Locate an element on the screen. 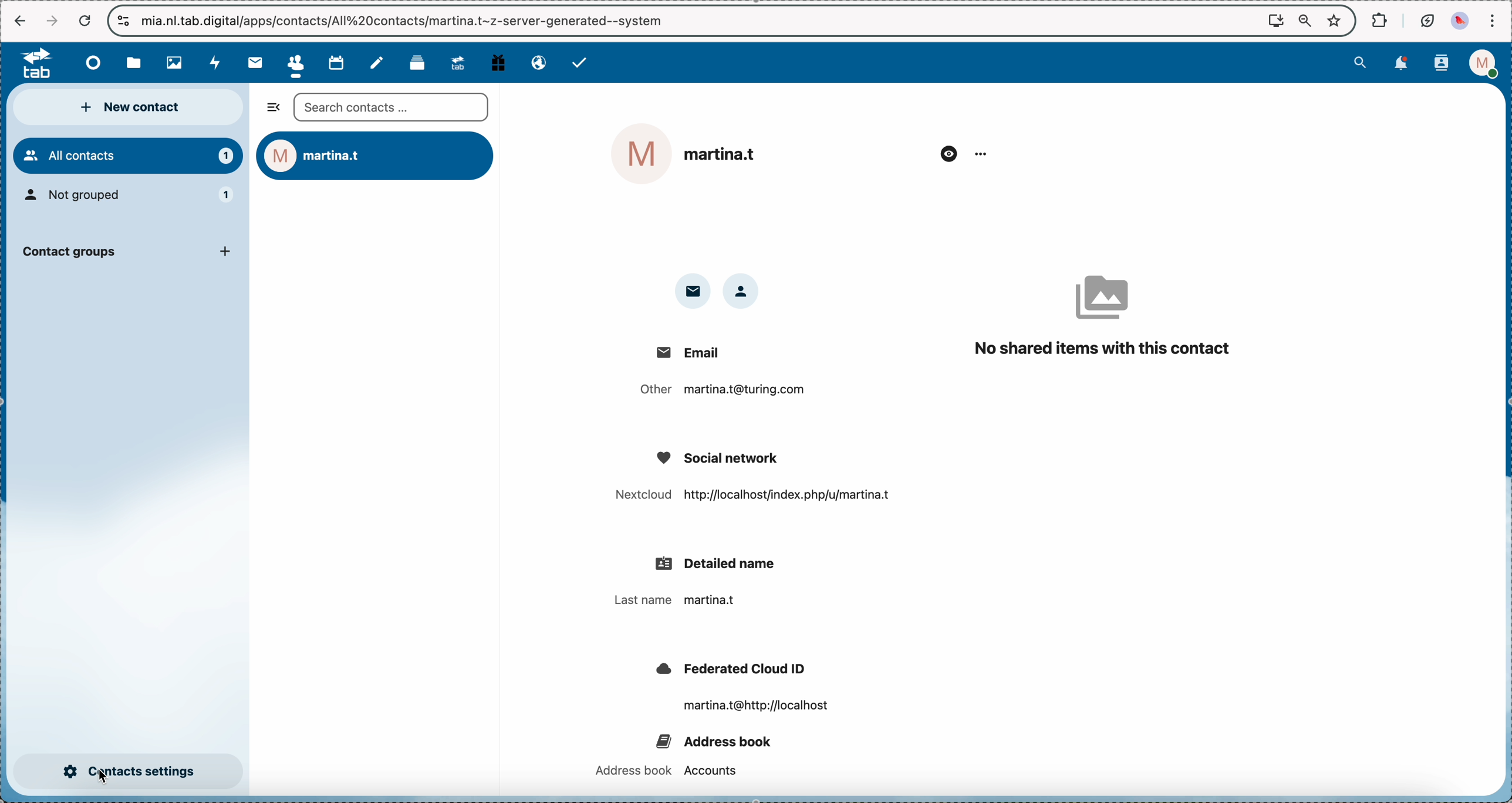 The height and width of the screenshot is (803, 1512). cancel is located at coordinates (86, 21).